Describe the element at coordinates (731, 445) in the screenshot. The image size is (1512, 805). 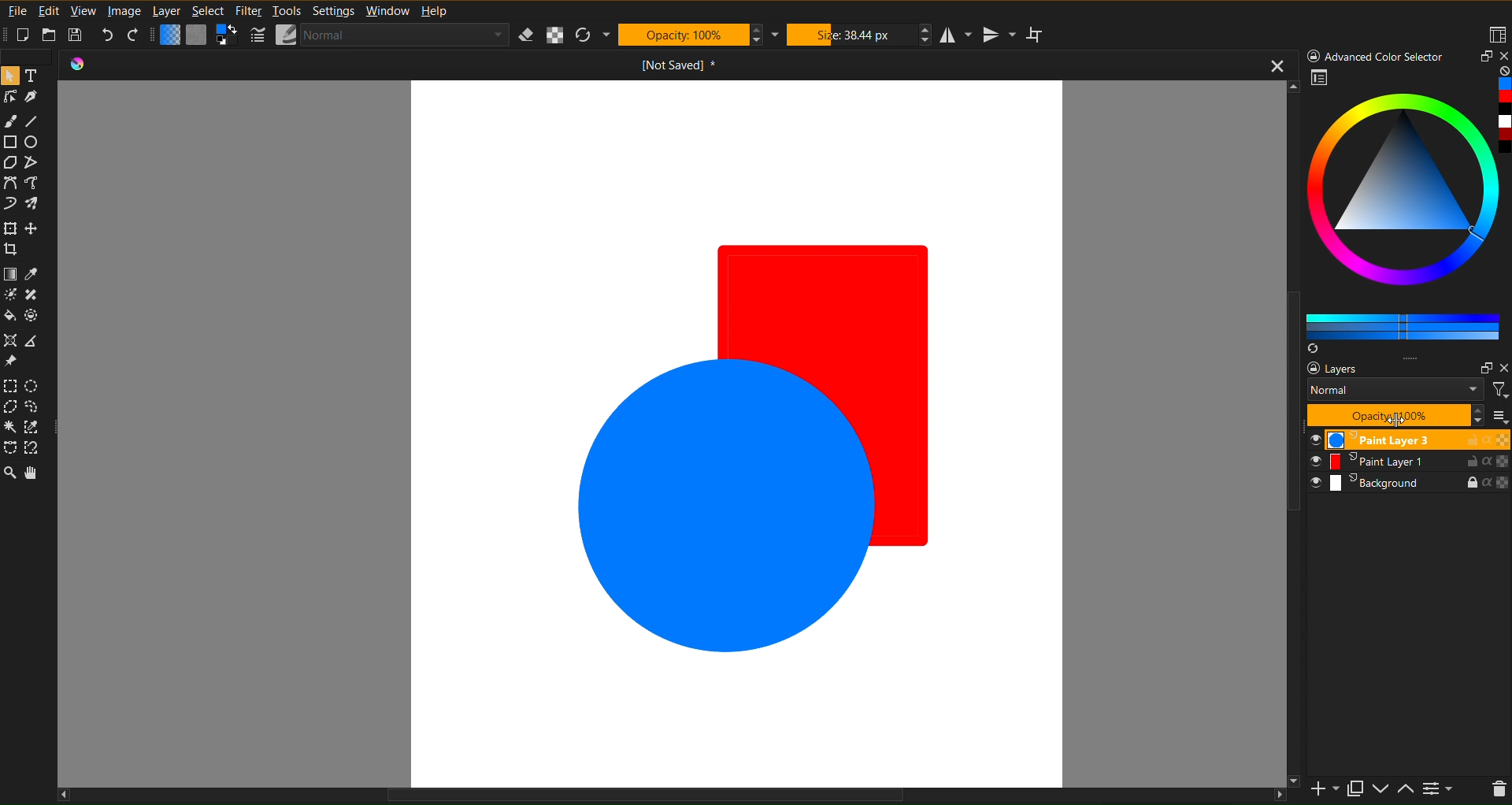
I see `Solid Color Shapes` at that location.